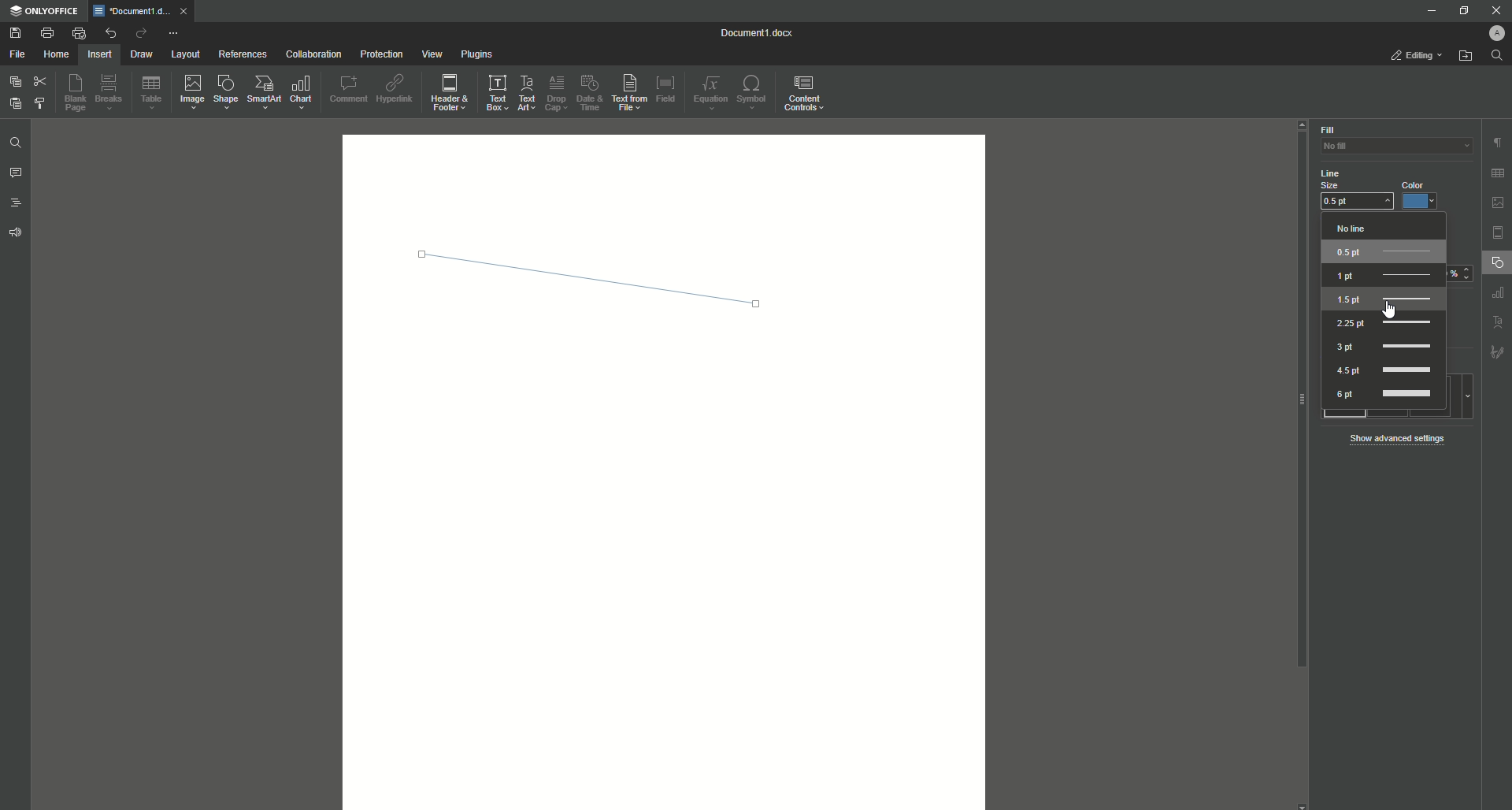 This screenshot has height=810, width=1512. I want to click on Feedback, so click(13, 236).